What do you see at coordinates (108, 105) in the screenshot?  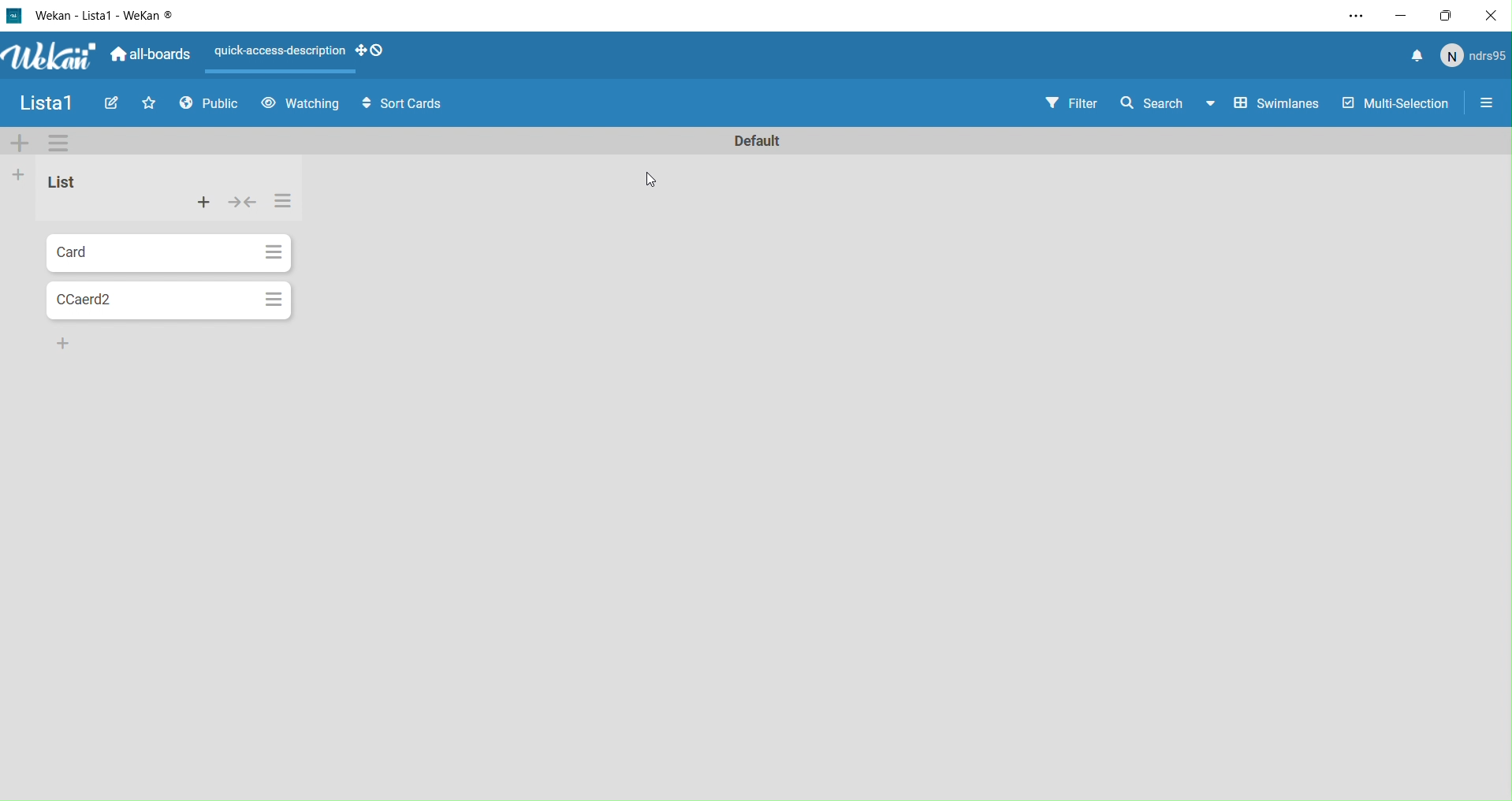 I see `Edit` at bounding box center [108, 105].